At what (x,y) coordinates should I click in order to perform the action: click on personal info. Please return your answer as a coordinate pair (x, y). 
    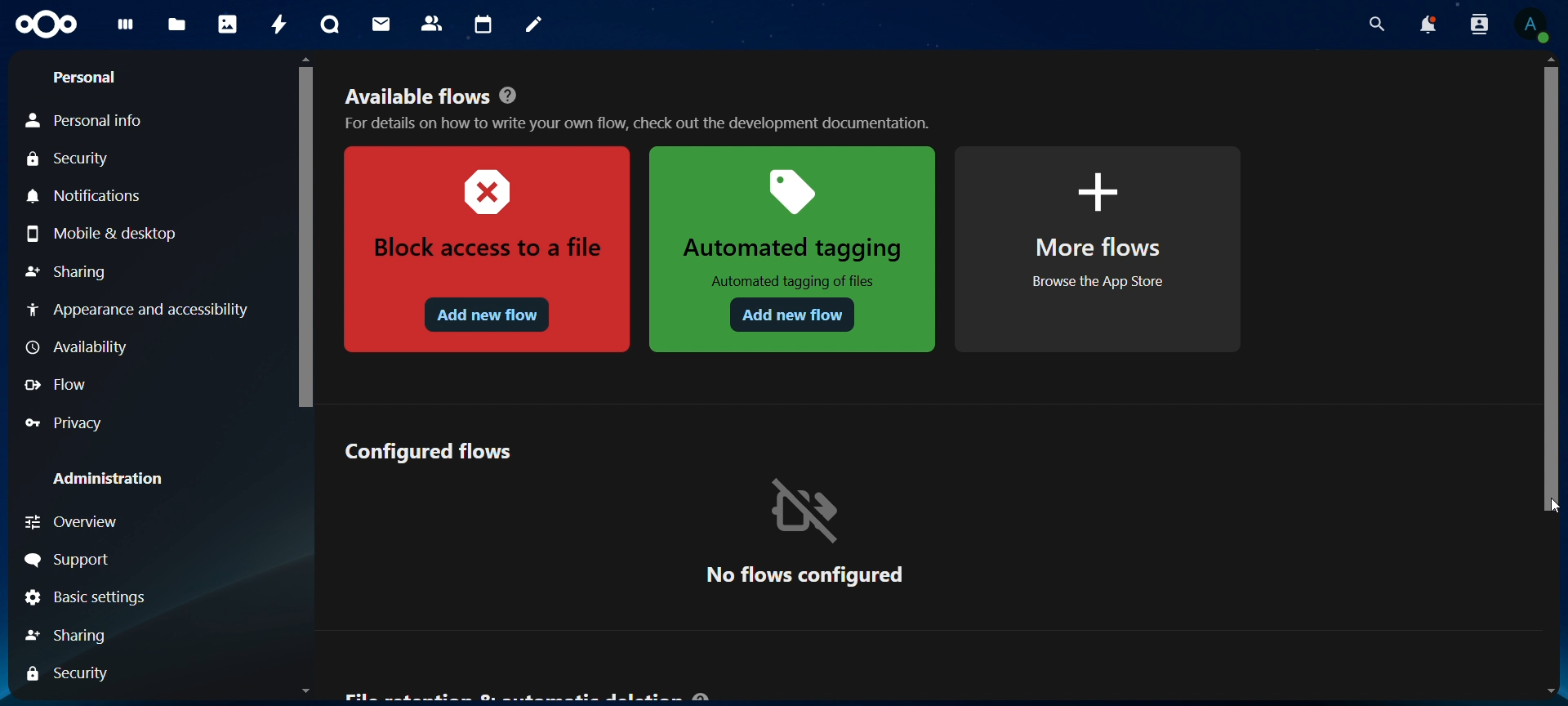
    Looking at the image, I should click on (95, 121).